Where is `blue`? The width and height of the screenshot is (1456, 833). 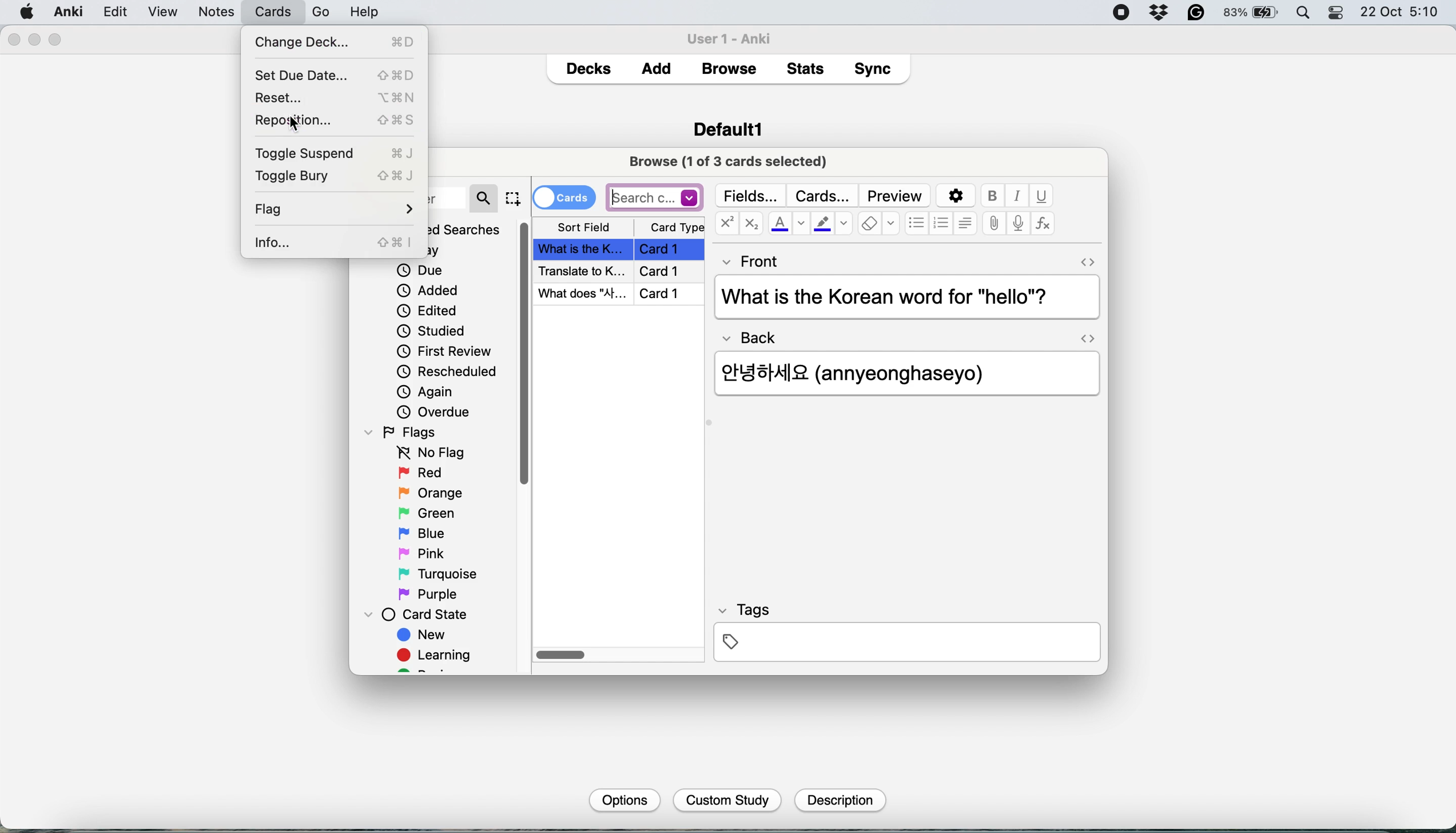
blue is located at coordinates (430, 532).